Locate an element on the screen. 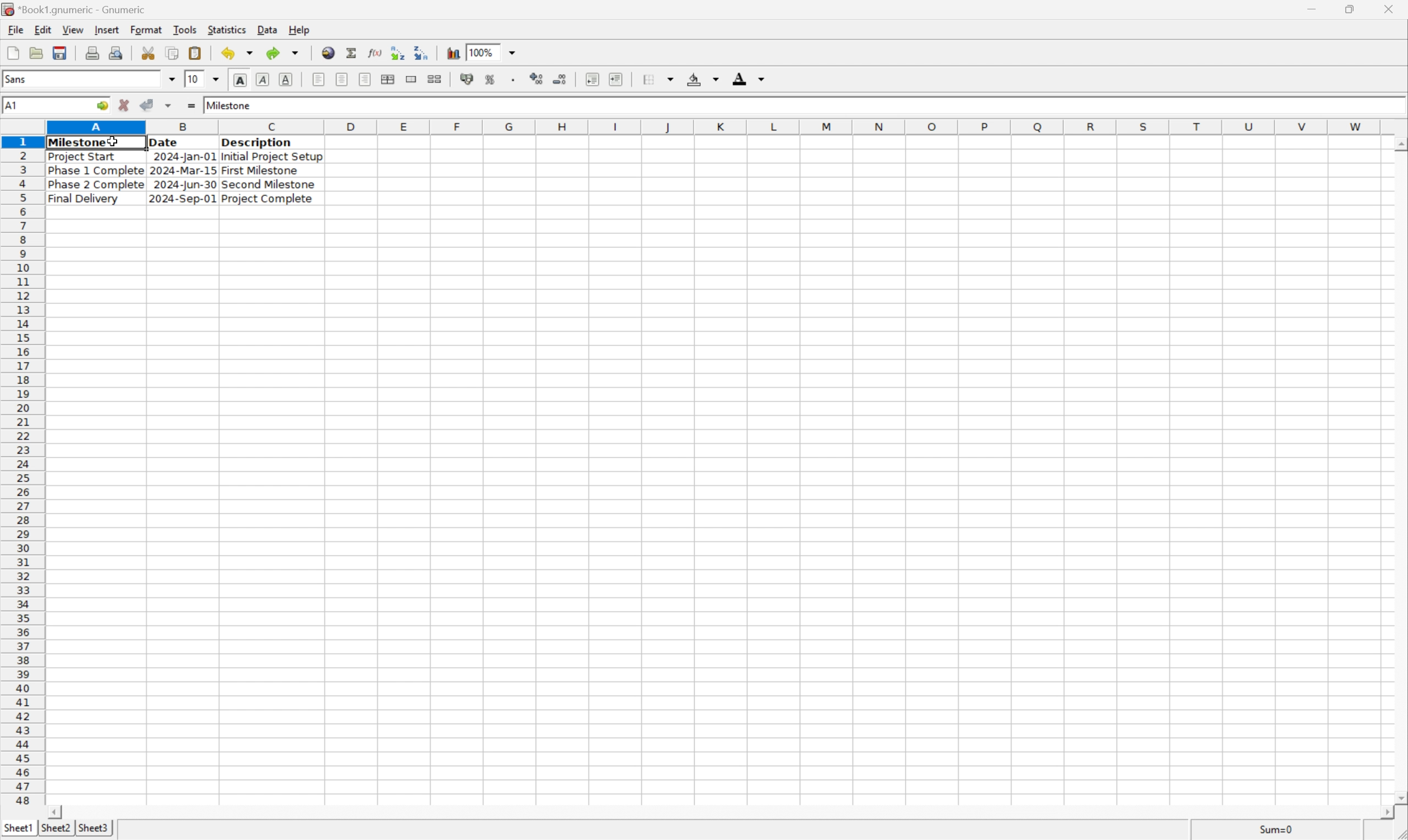 This screenshot has width=1408, height=840. save current workbook is located at coordinates (60, 54).